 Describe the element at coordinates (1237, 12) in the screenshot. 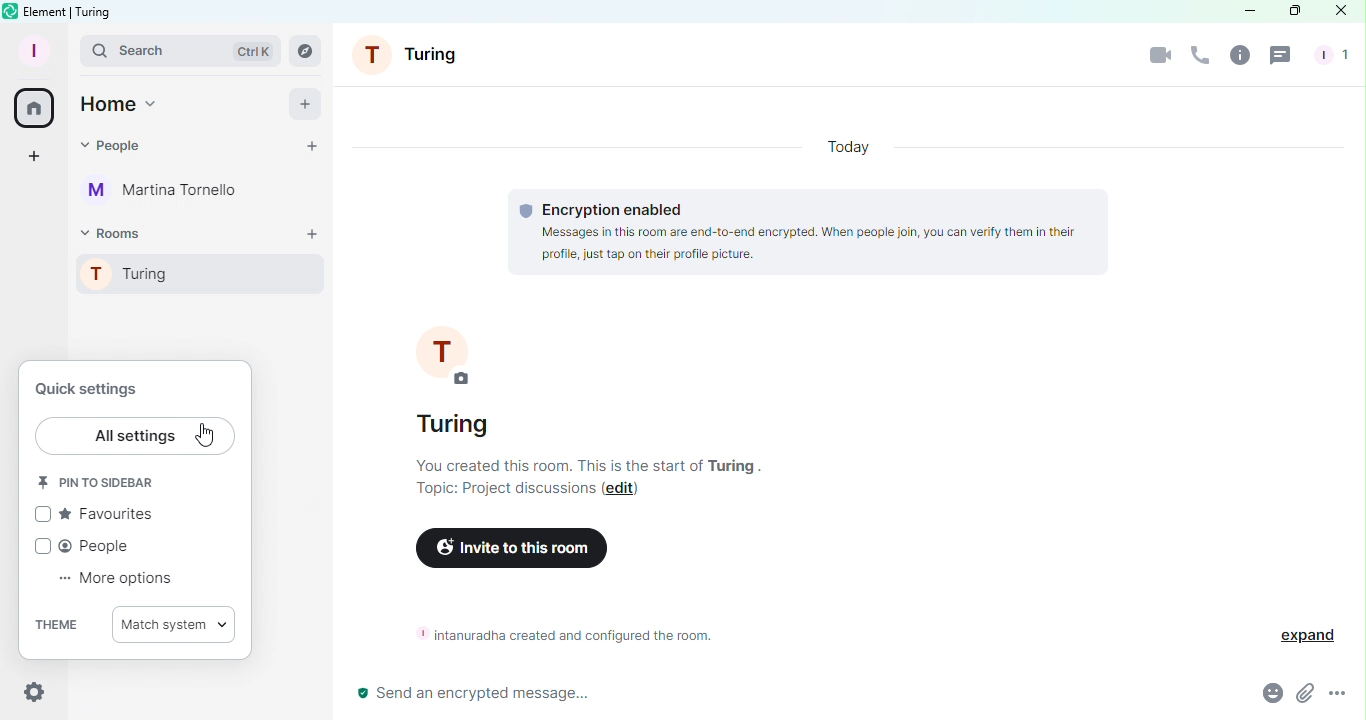

I see `Minimize` at that location.